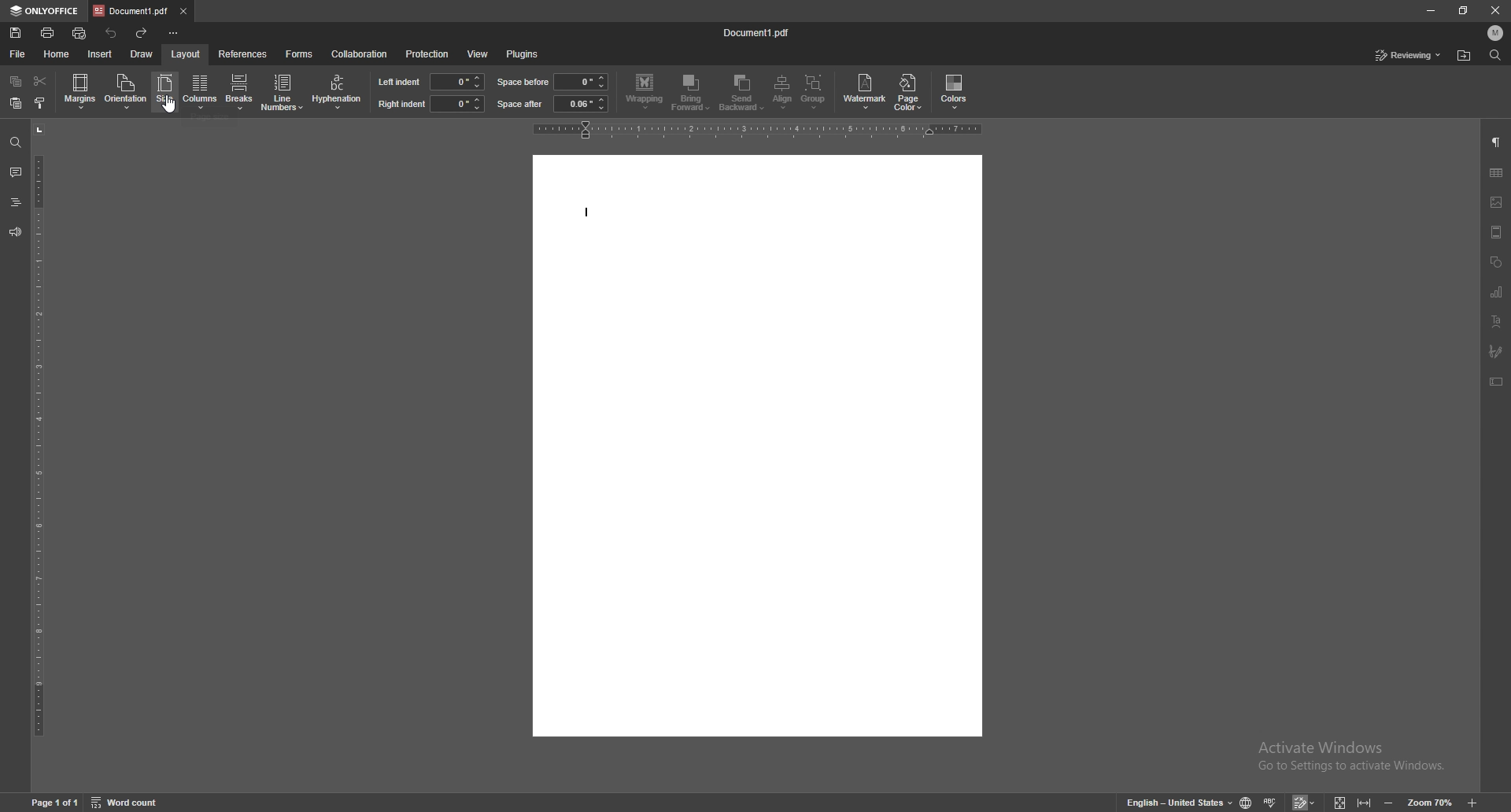  What do you see at coordinates (1495, 9) in the screenshot?
I see `close` at bounding box center [1495, 9].